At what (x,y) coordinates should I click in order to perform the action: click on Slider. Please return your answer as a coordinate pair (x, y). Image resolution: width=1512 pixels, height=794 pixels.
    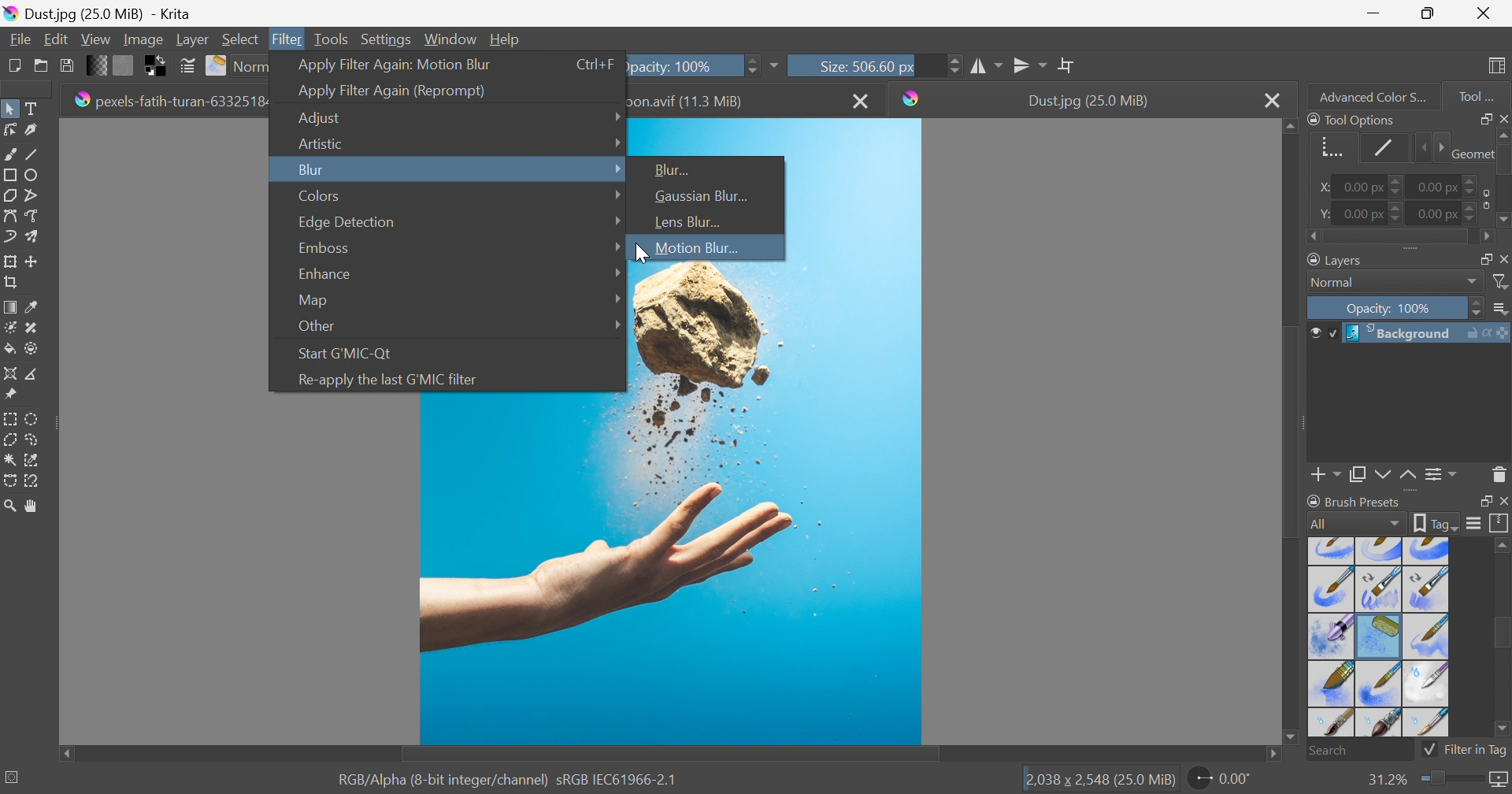
    Looking at the image, I should click on (1472, 216).